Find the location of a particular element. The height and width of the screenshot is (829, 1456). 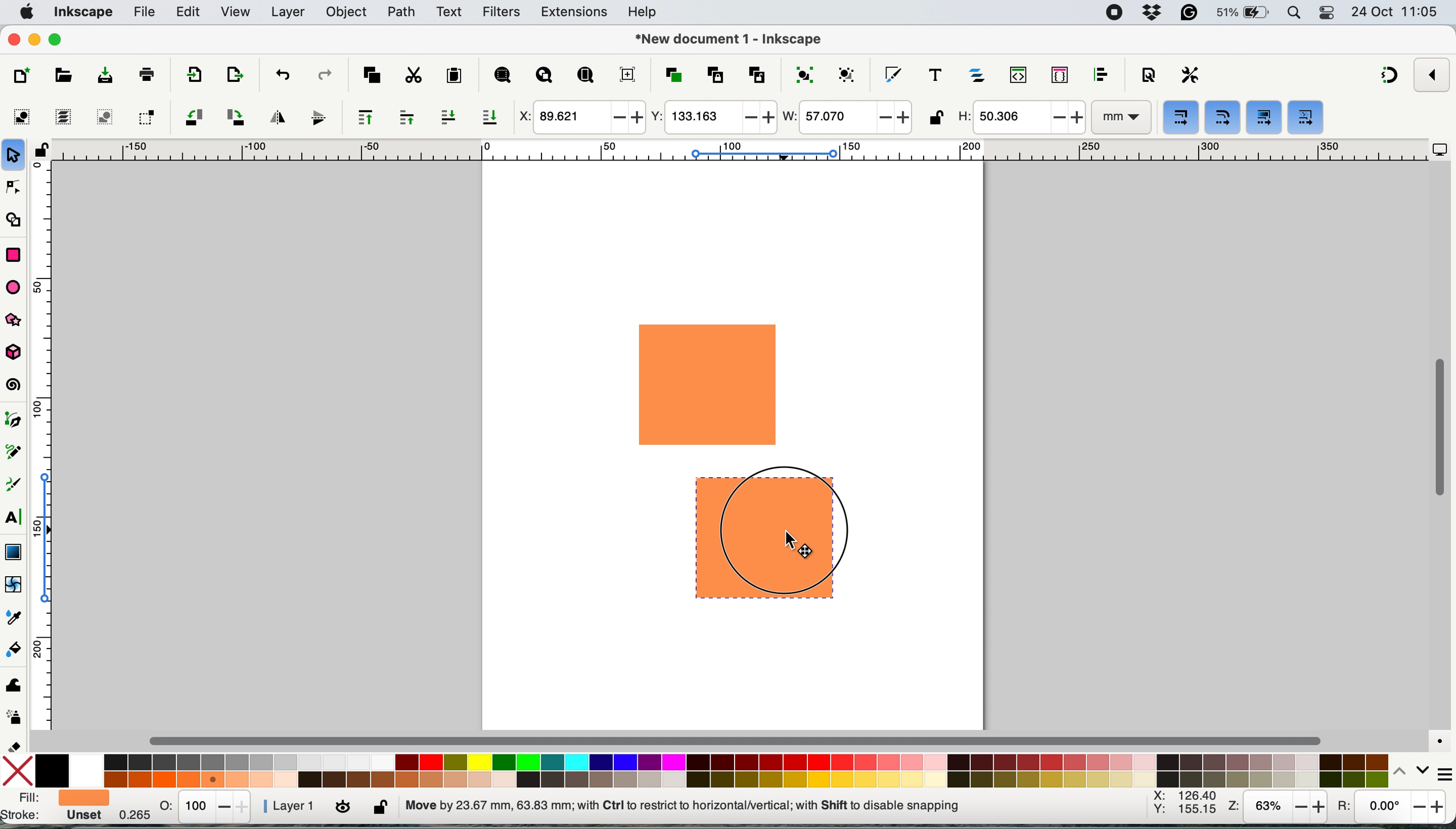

dropper tool is located at coordinates (15, 617).